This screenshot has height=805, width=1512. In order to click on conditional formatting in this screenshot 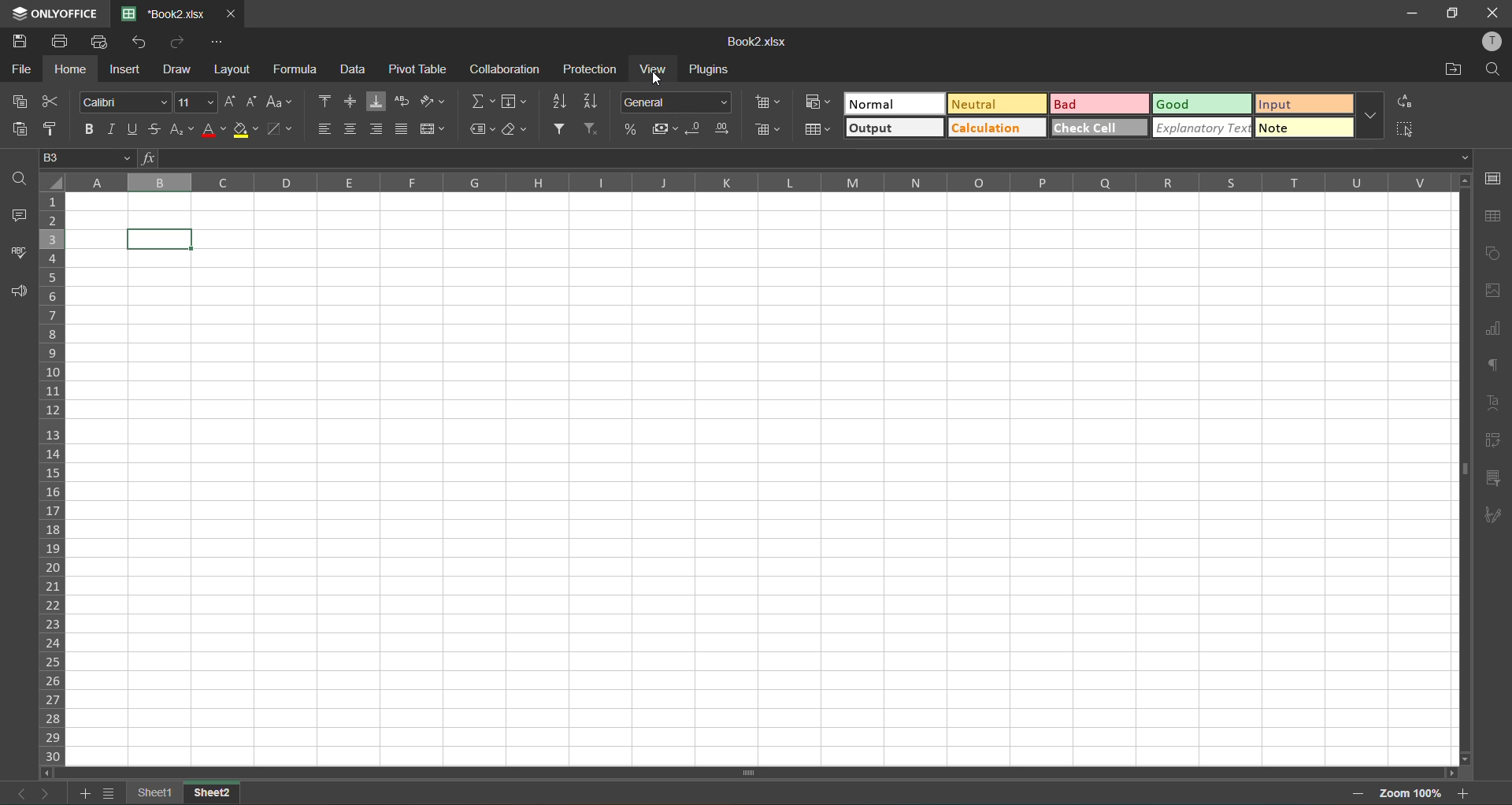, I will do `click(822, 100)`.